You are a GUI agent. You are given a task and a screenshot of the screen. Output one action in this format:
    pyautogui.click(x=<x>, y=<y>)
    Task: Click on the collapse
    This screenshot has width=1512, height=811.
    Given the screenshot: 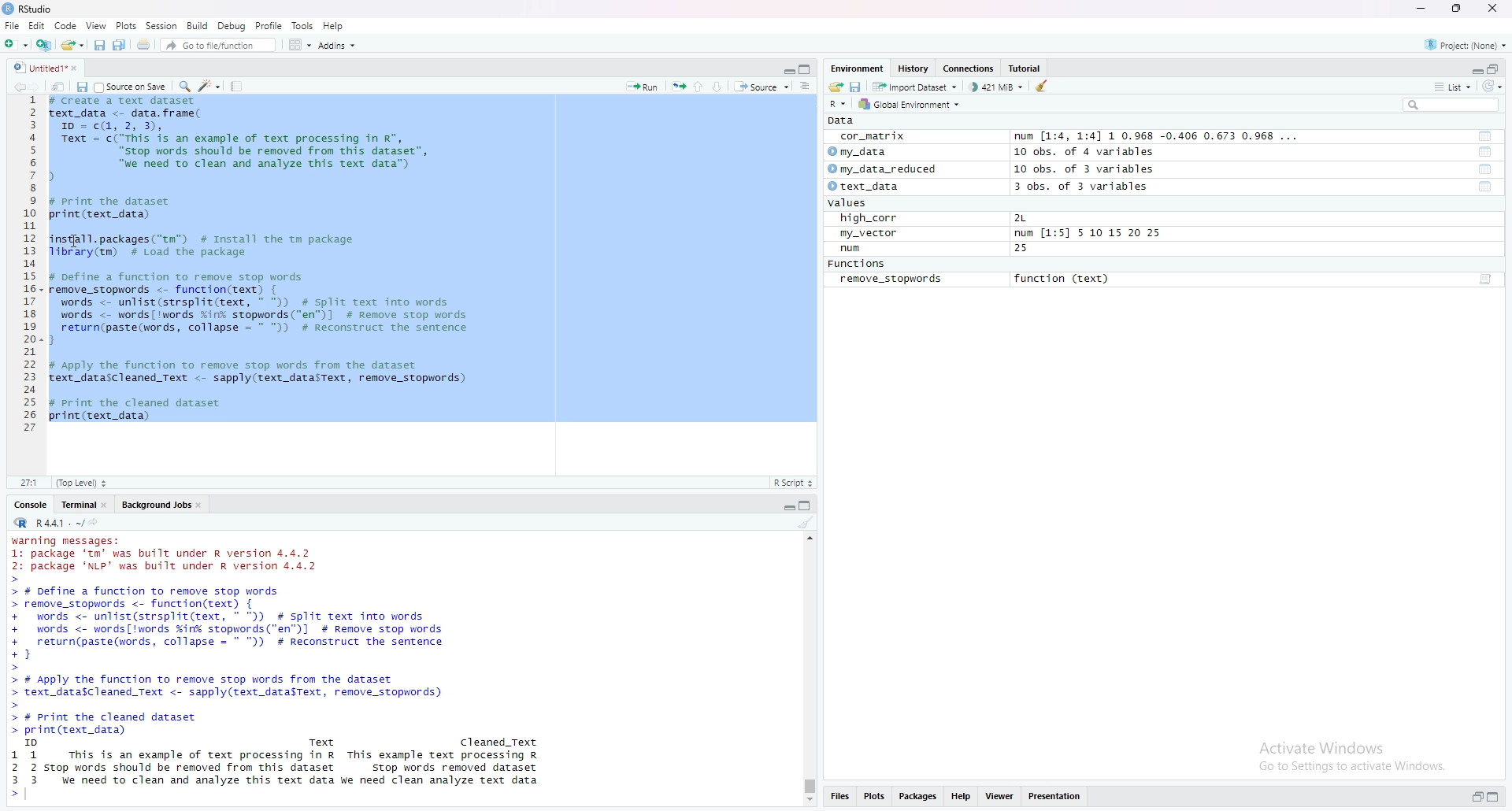 What is the action you would take?
    pyautogui.click(x=1497, y=797)
    